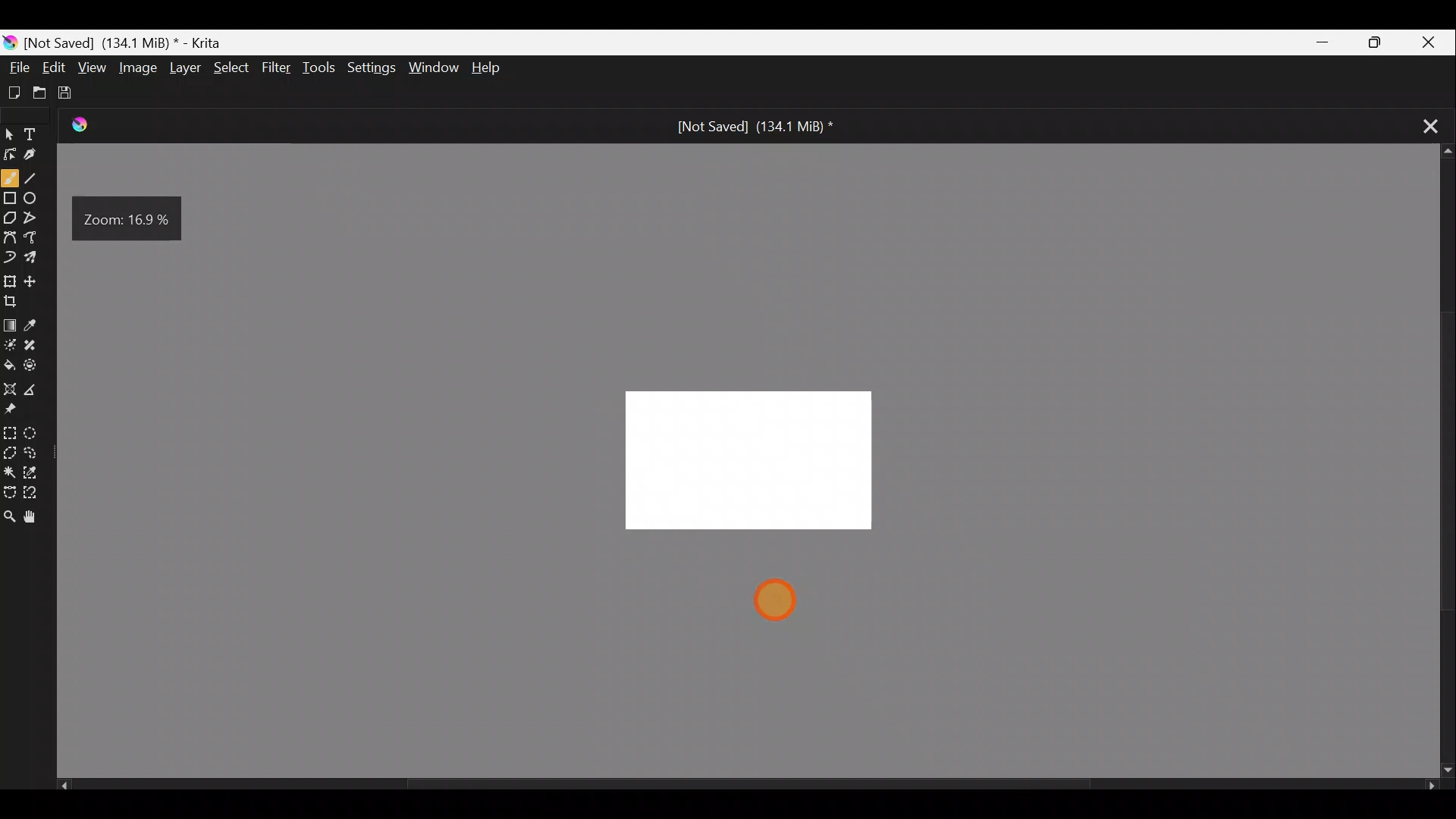 The width and height of the screenshot is (1456, 819). I want to click on Multibrush tool, so click(38, 260).